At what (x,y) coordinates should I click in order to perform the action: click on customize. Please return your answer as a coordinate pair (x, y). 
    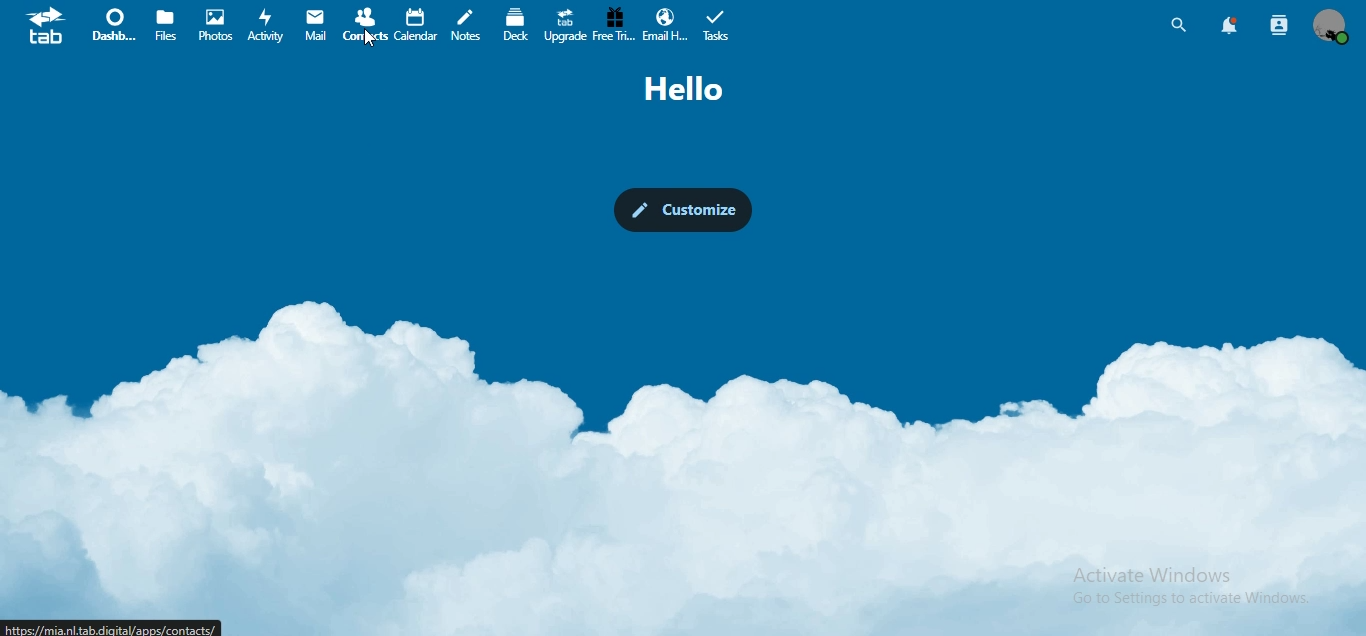
    Looking at the image, I should click on (685, 212).